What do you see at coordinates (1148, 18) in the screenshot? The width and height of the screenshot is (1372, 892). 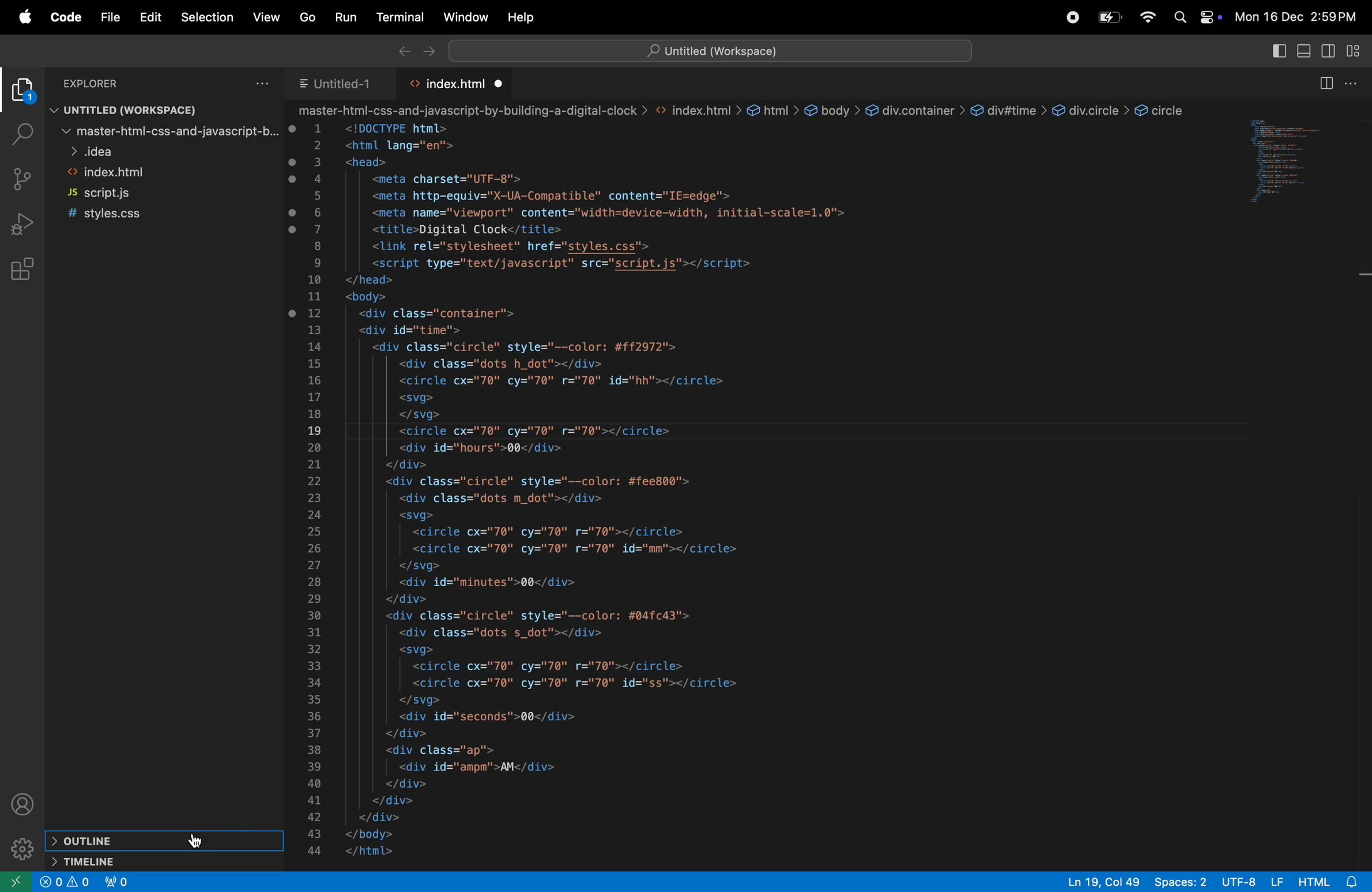 I see `wifi` at bounding box center [1148, 18].